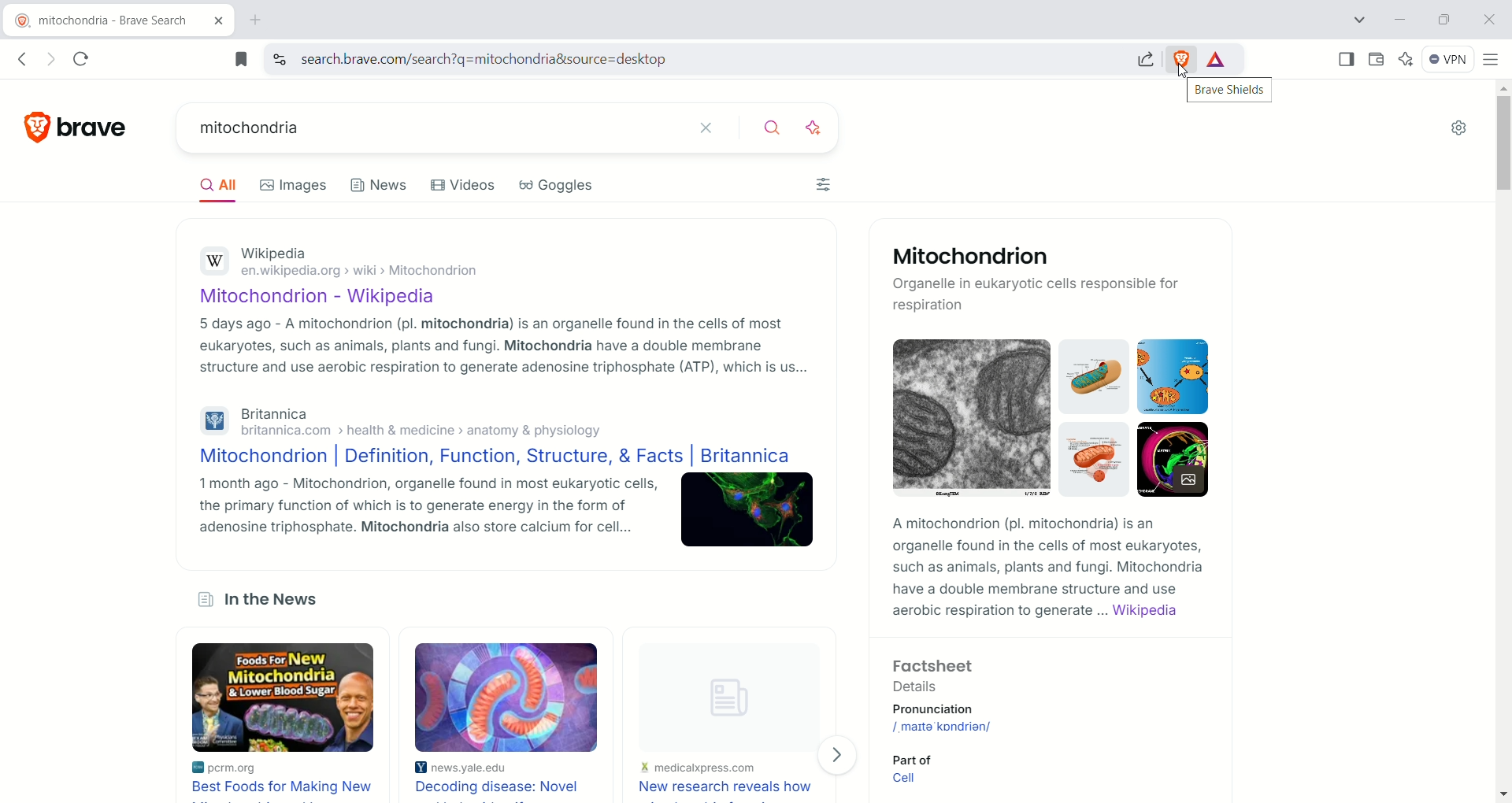 This screenshot has height=803, width=1512. Describe the element at coordinates (1447, 22) in the screenshot. I see `restore down` at that location.